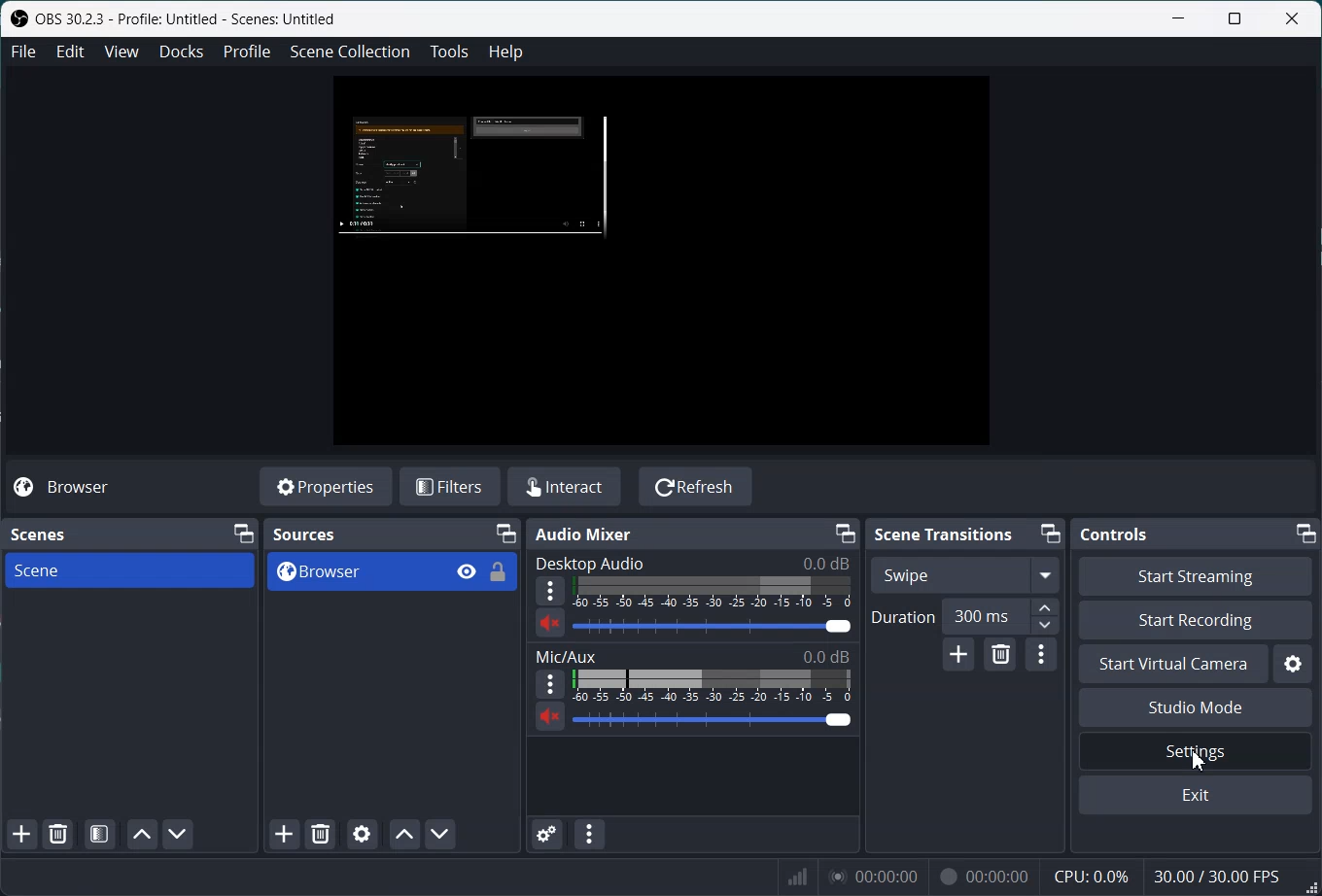 Image resolution: width=1322 pixels, height=896 pixels. Describe the element at coordinates (691, 655) in the screenshot. I see `Mic/Aux 0.0 dB` at that location.